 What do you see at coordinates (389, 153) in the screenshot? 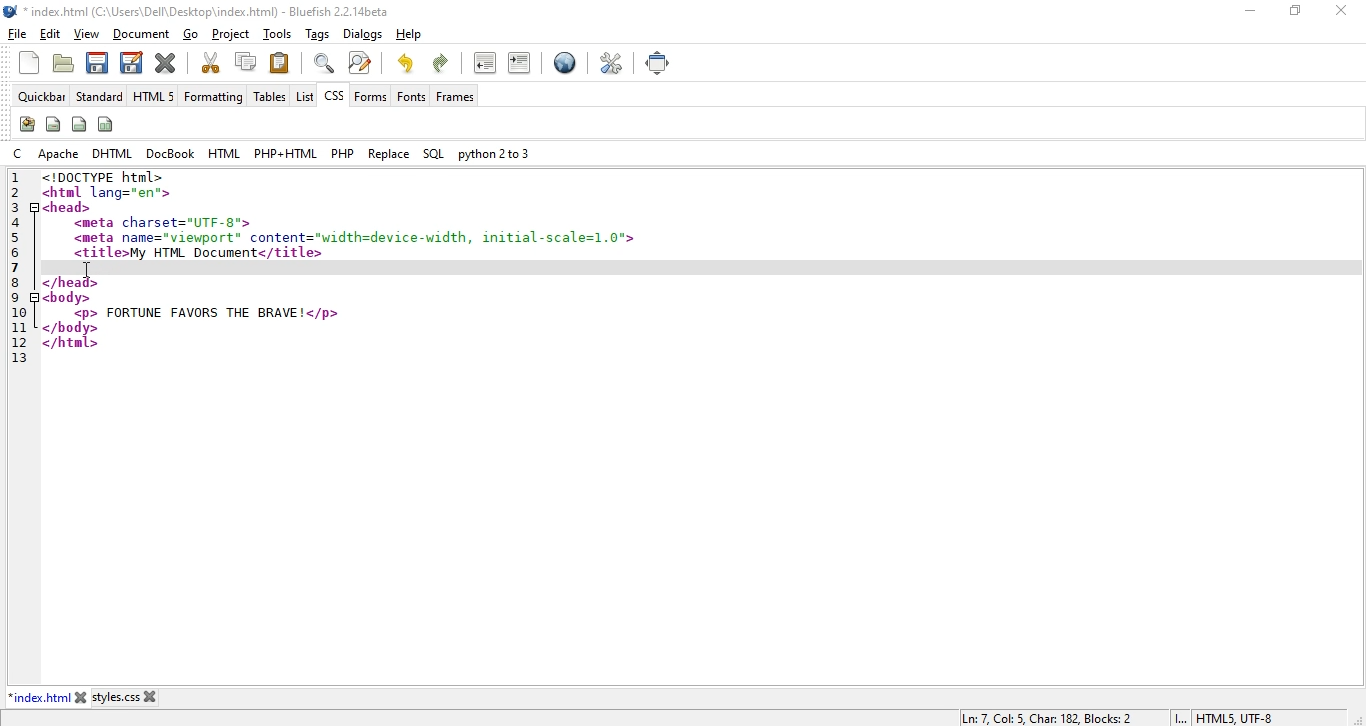
I see `replace` at bounding box center [389, 153].